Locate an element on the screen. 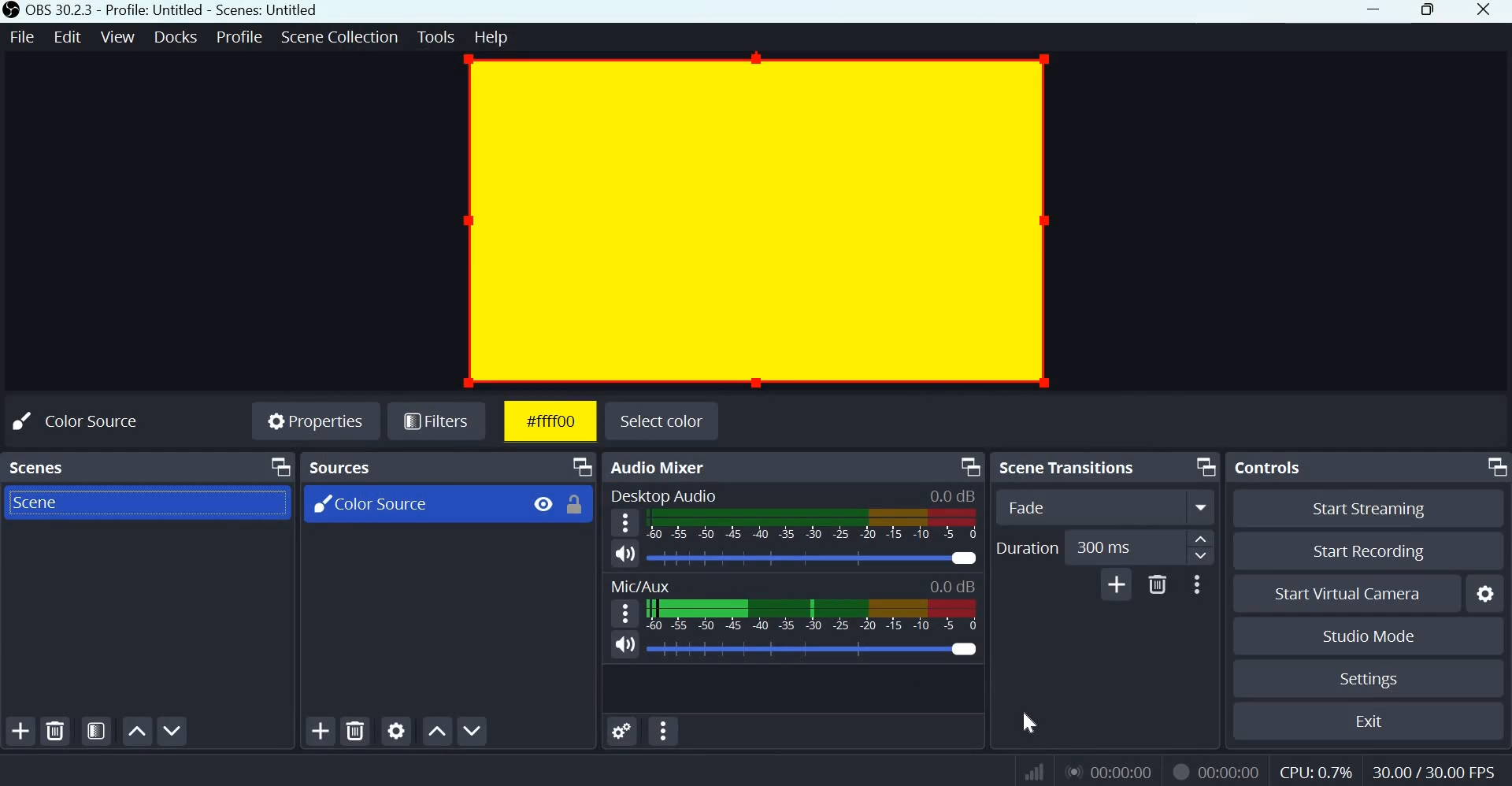 This screenshot has width=1512, height=786. Color Source is located at coordinates (366, 504).